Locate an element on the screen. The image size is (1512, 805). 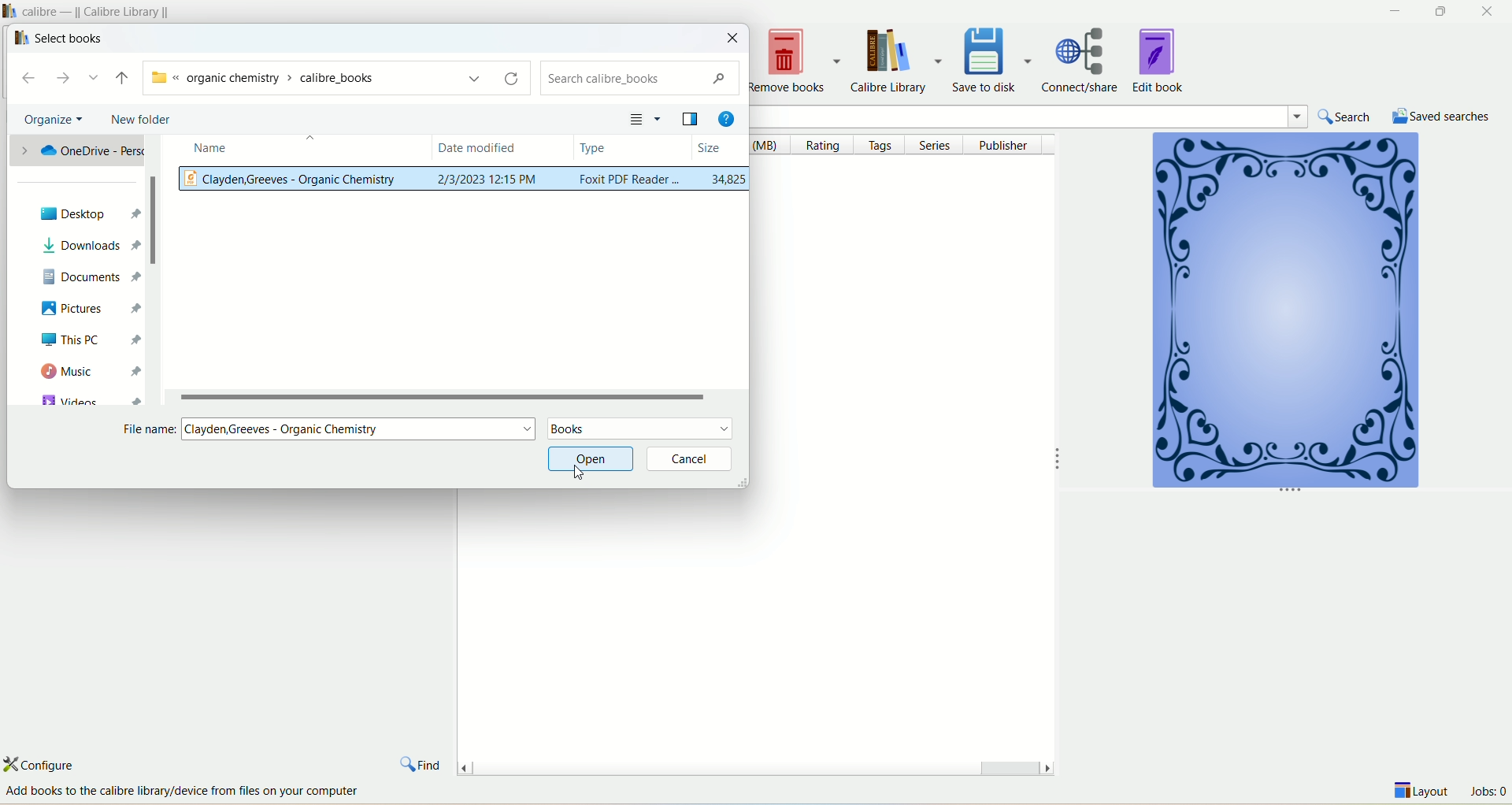
upto is located at coordinates (120, 78).